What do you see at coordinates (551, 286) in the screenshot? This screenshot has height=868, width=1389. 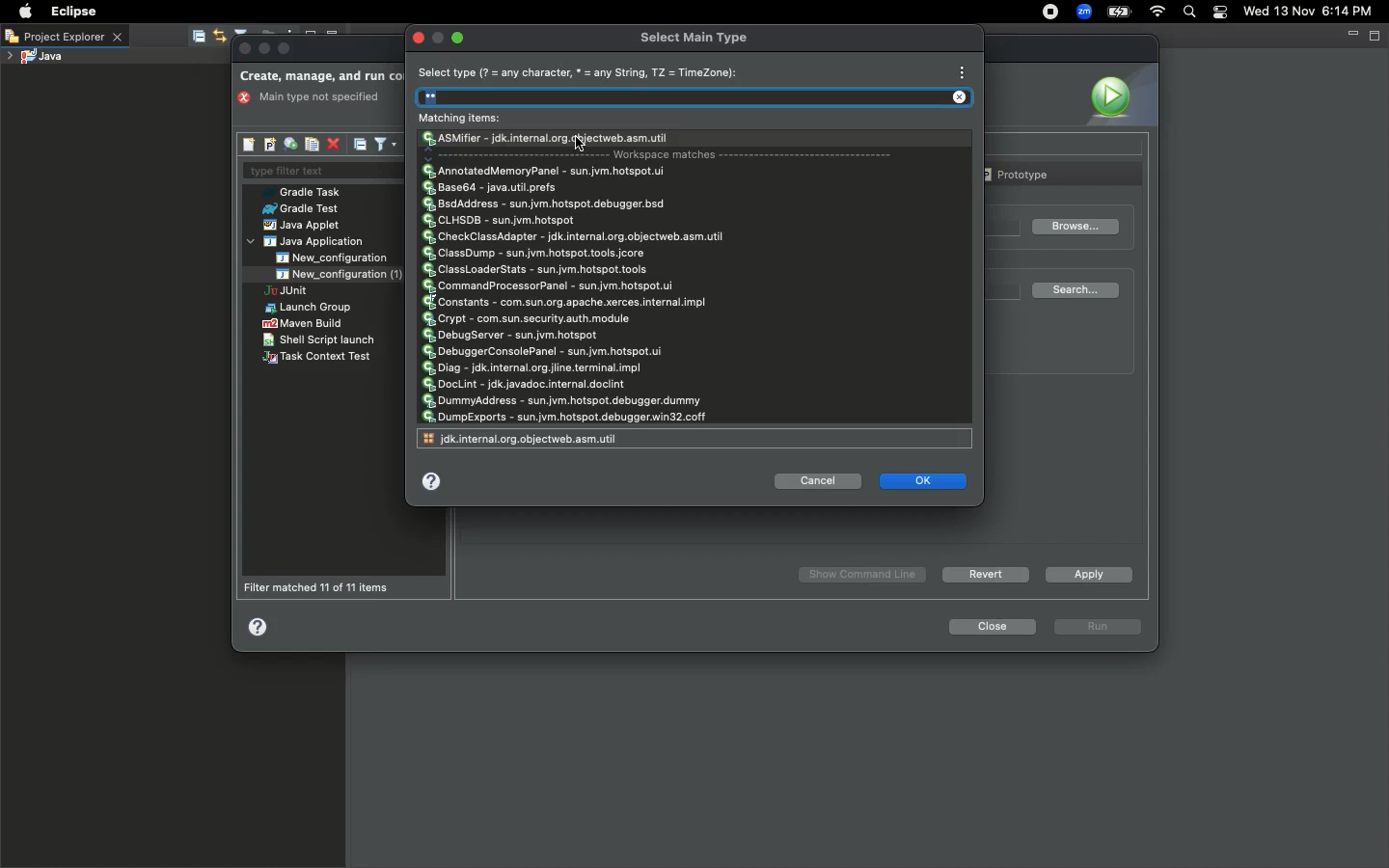 I see `CommandProcessorPanel - sun.jvm.hotspot.ui` at bounding box center [551, 286].